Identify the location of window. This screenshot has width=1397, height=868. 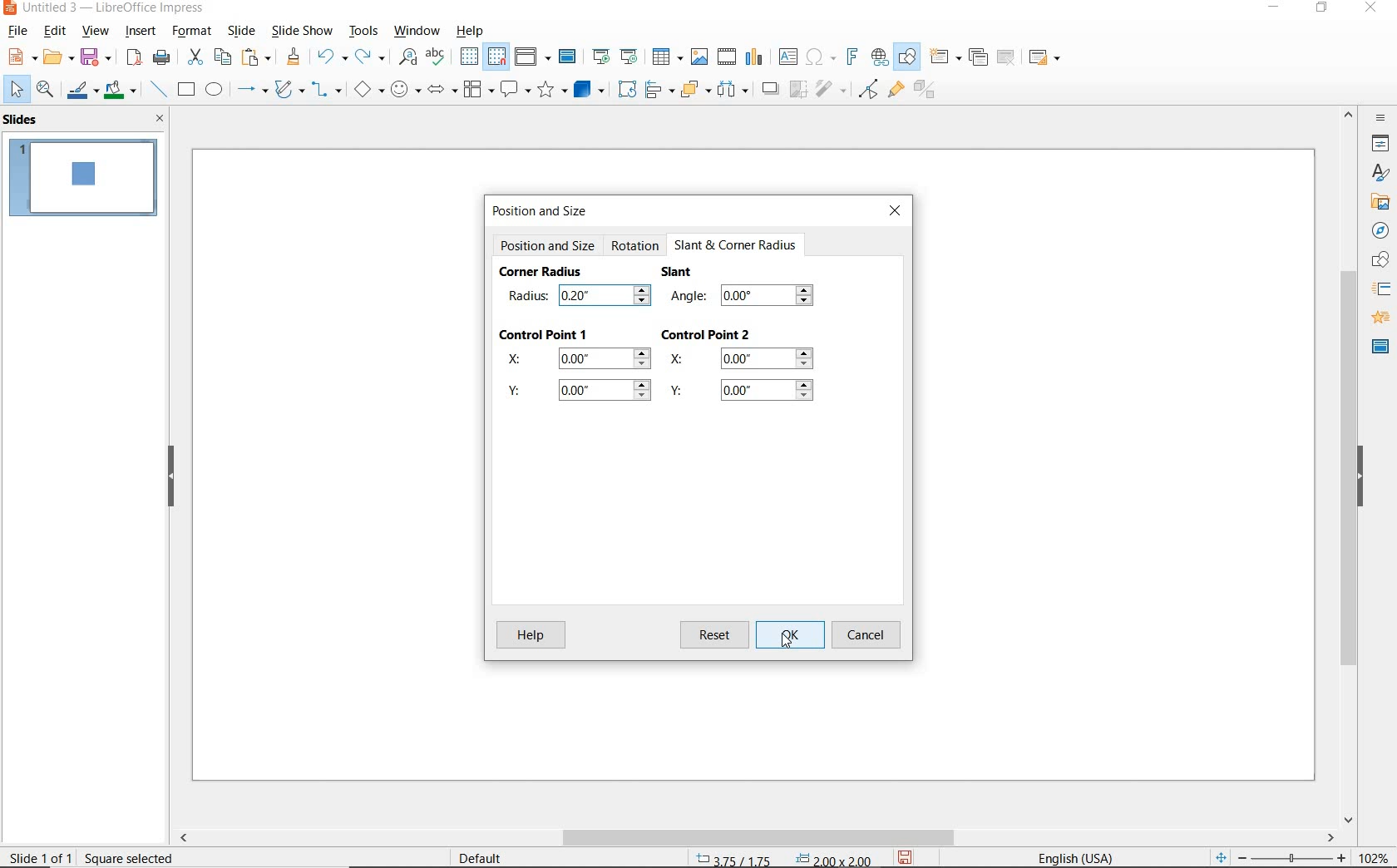
(419, 32).